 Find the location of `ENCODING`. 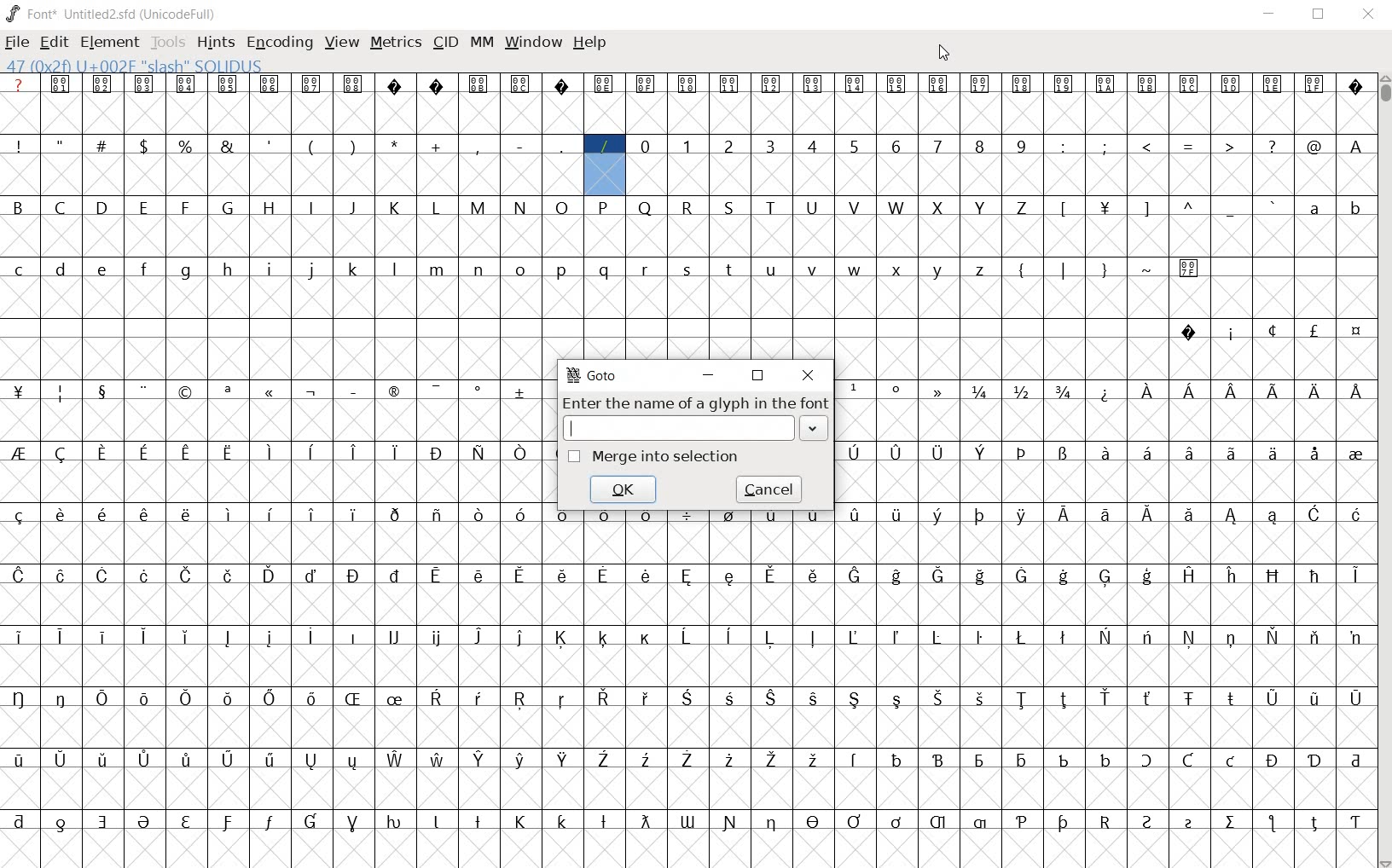

ENCODING is located at coordinates (278, 42).